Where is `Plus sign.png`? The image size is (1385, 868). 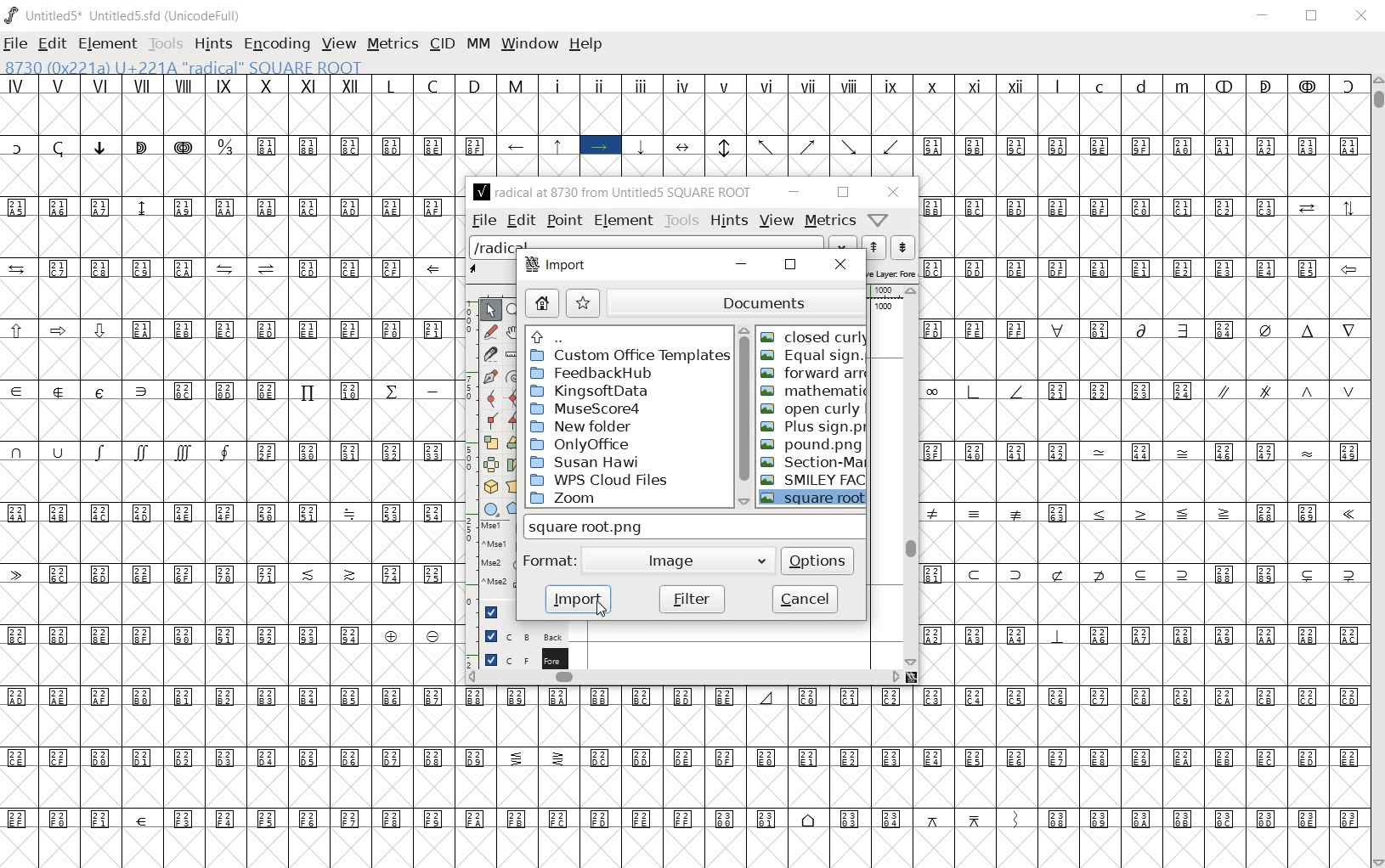
Plus sign.png is located at coordinates (813, 428).